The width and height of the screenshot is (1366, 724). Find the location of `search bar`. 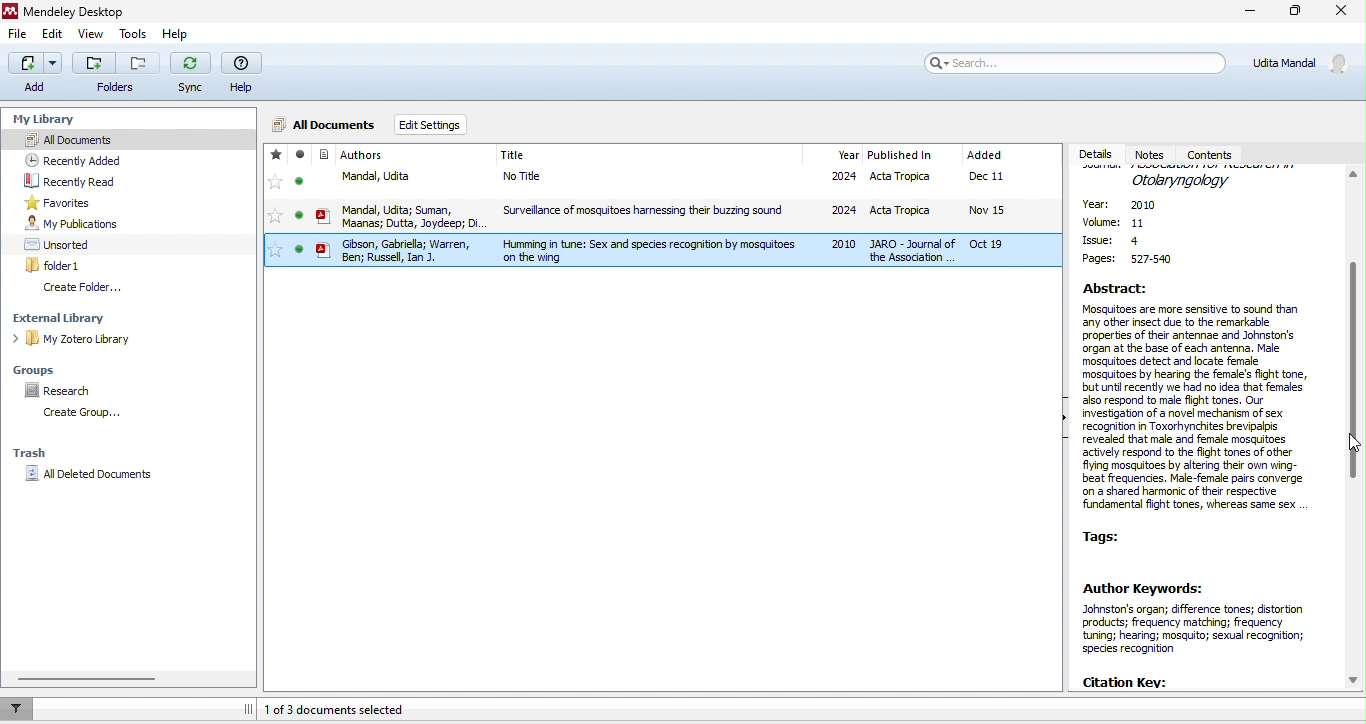

search bar is located at coordinates (1076, 62).